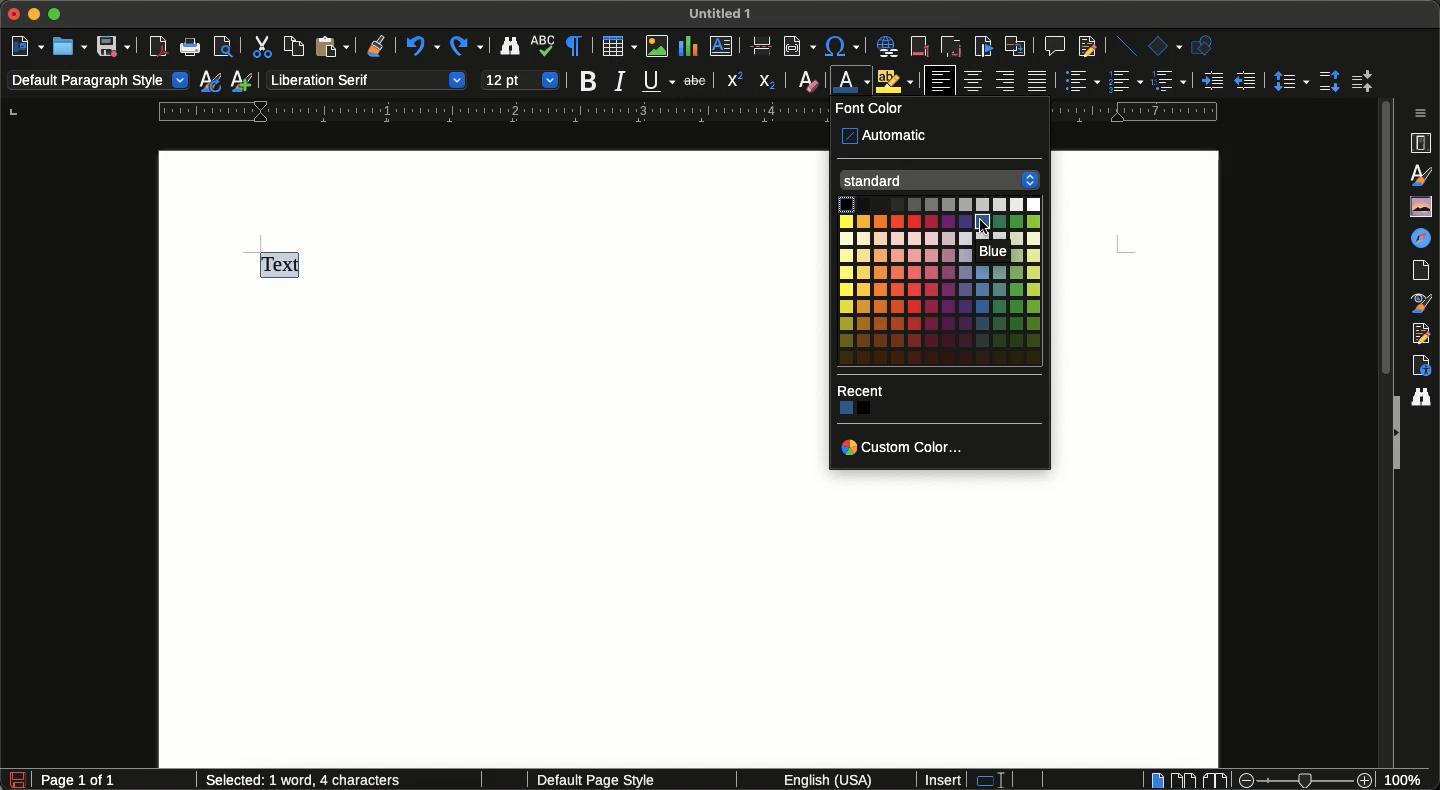  What do you see at coordinates (57, 14) in the screenshot?
I see `Maximize` at bounding box center [57, 14].